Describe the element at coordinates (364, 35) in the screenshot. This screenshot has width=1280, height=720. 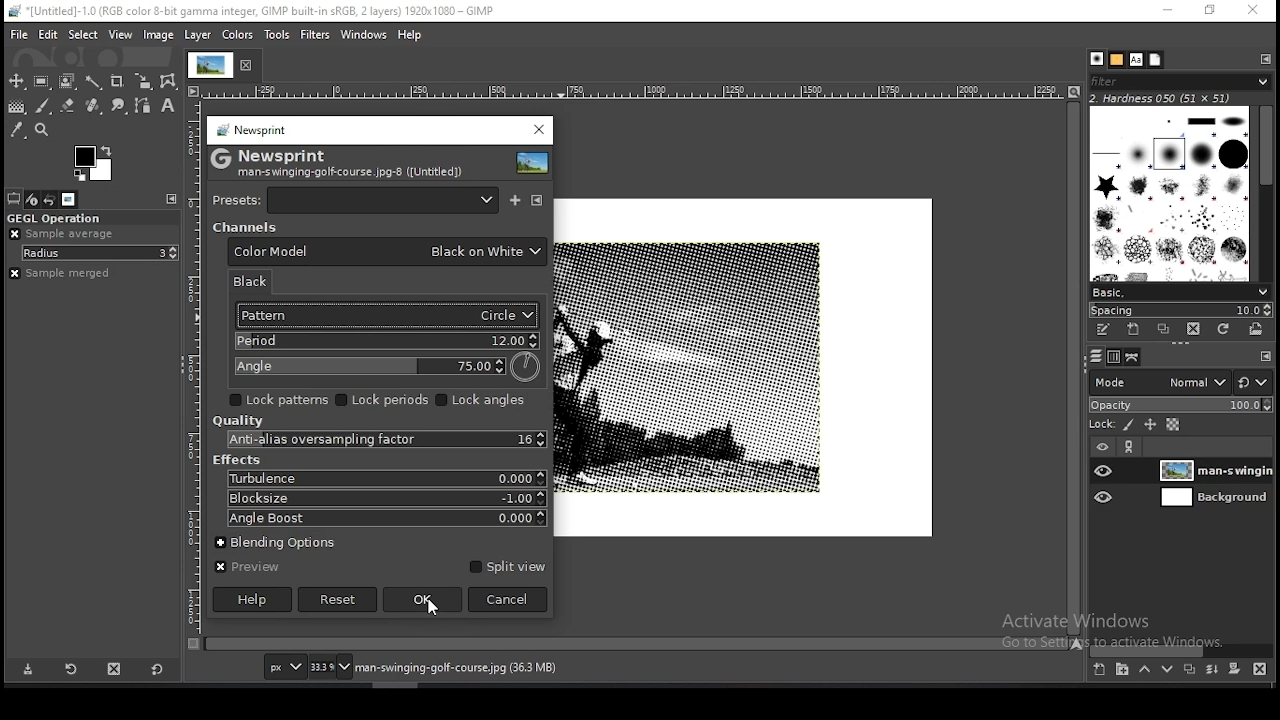
I see `windows` at that location.